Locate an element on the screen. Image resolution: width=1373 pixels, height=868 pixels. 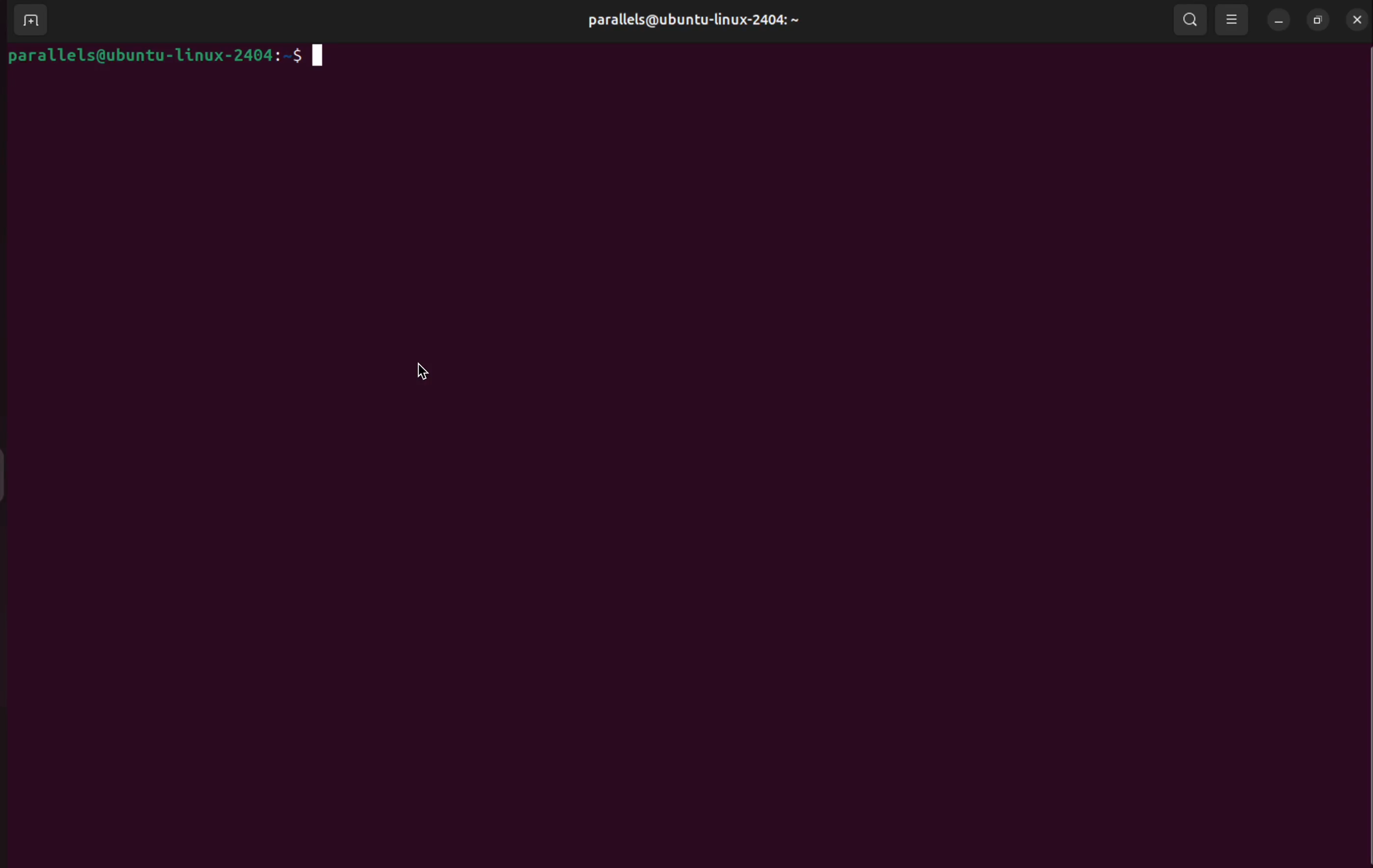
resize is located at coordinates (1318, 21).